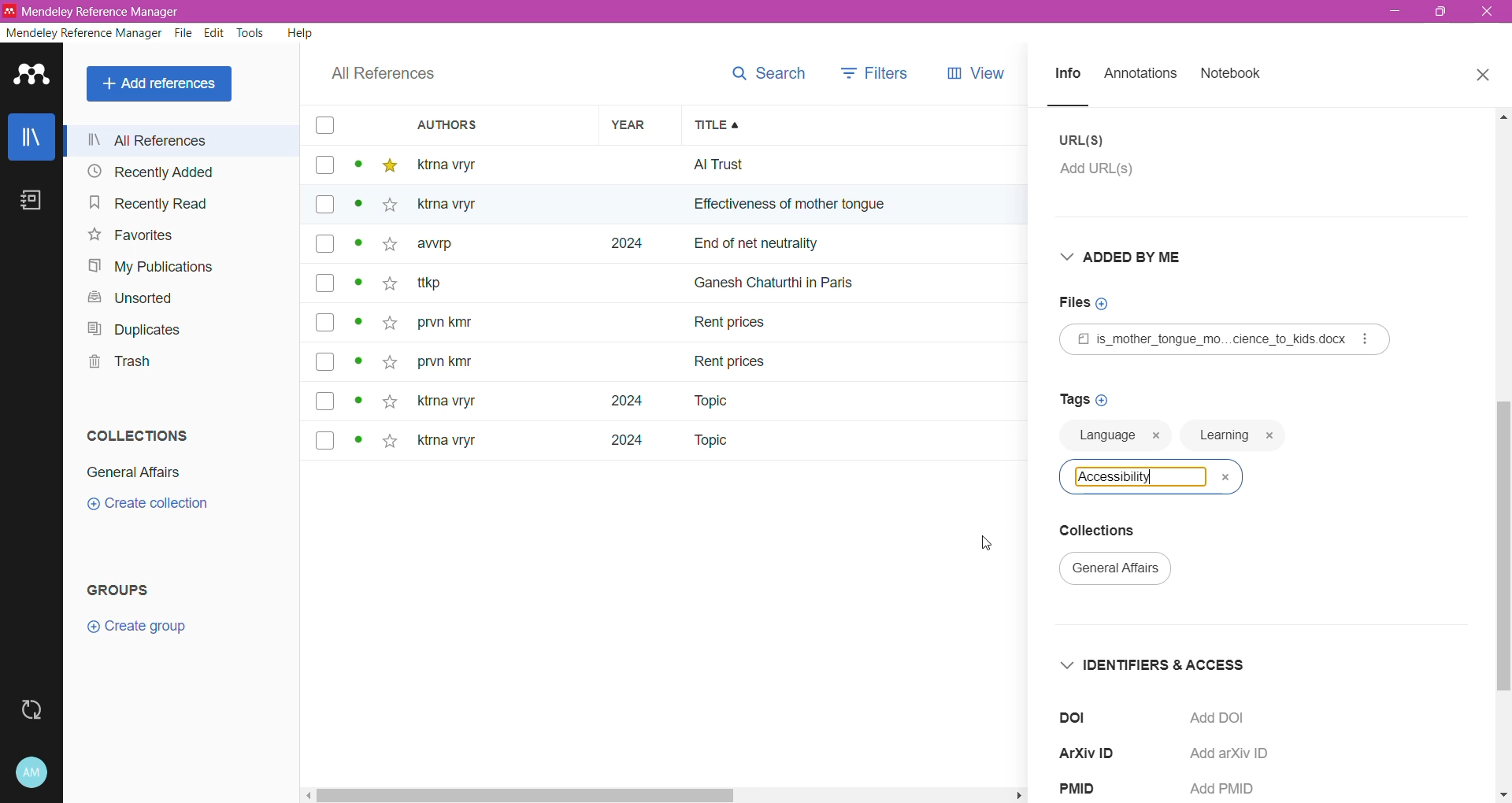 The height and width of the screenshot is (803, 1512). I want to click on doi, so click(1081, 716).